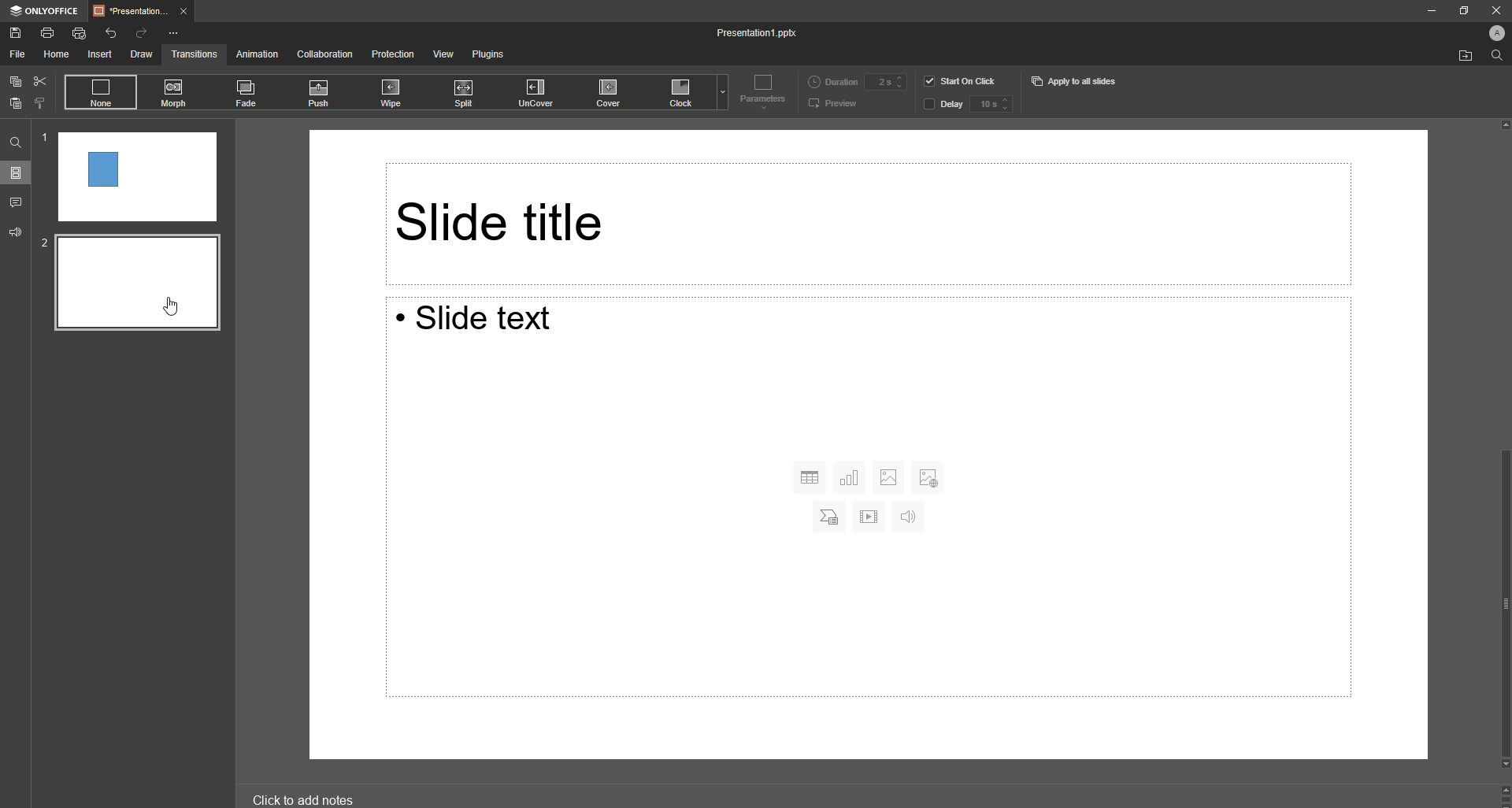 This screenshot has height=808, width=1512. Describe the element at coordinates (20, 203) in the screenshot. I see `Comments` at that location.